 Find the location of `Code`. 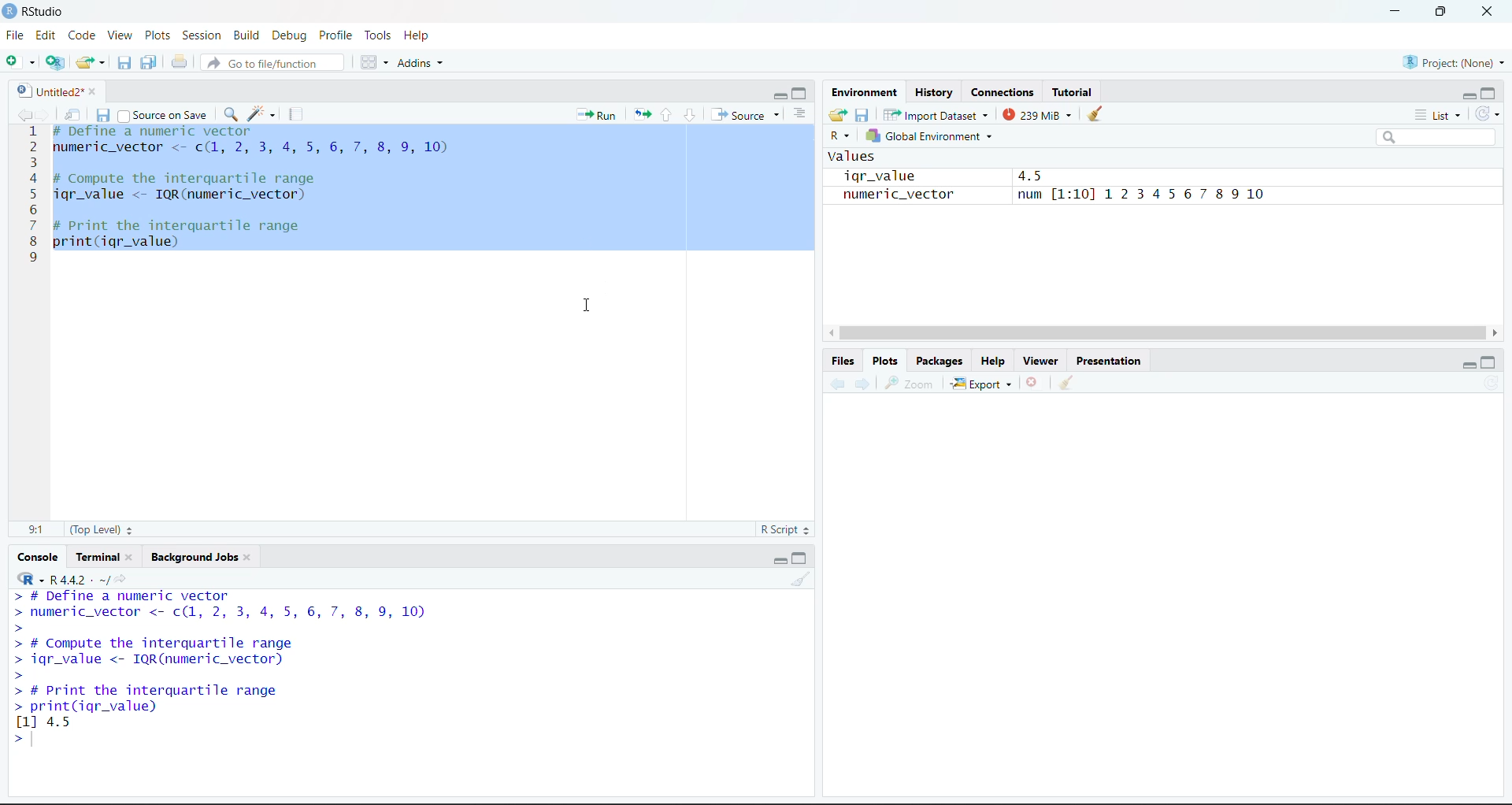

Code is located at coordinates (85, 34).